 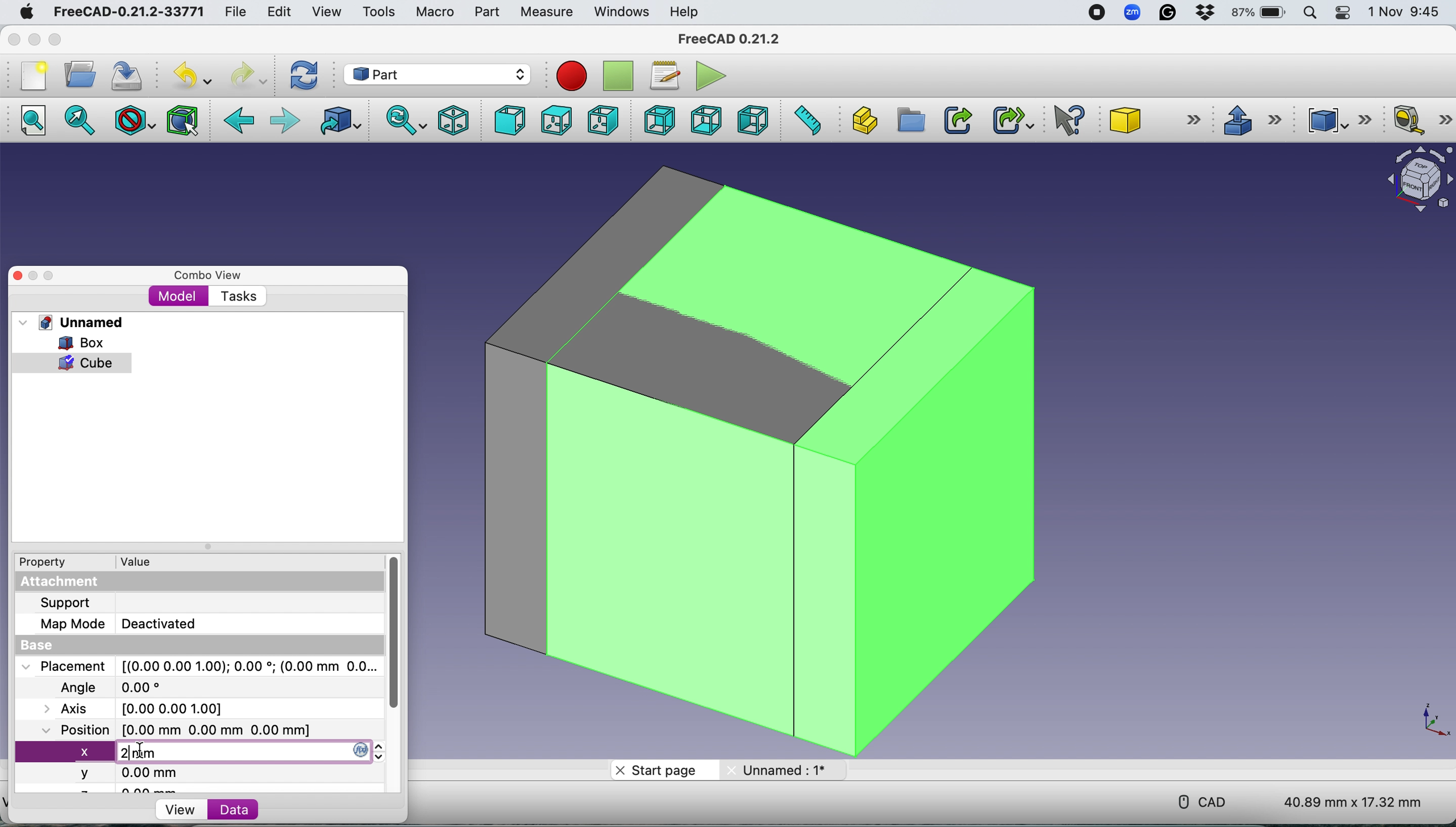 What do you see at coordinates (80, 74) in the screenshot?
I see `Open` at bounding box center [80, 74].